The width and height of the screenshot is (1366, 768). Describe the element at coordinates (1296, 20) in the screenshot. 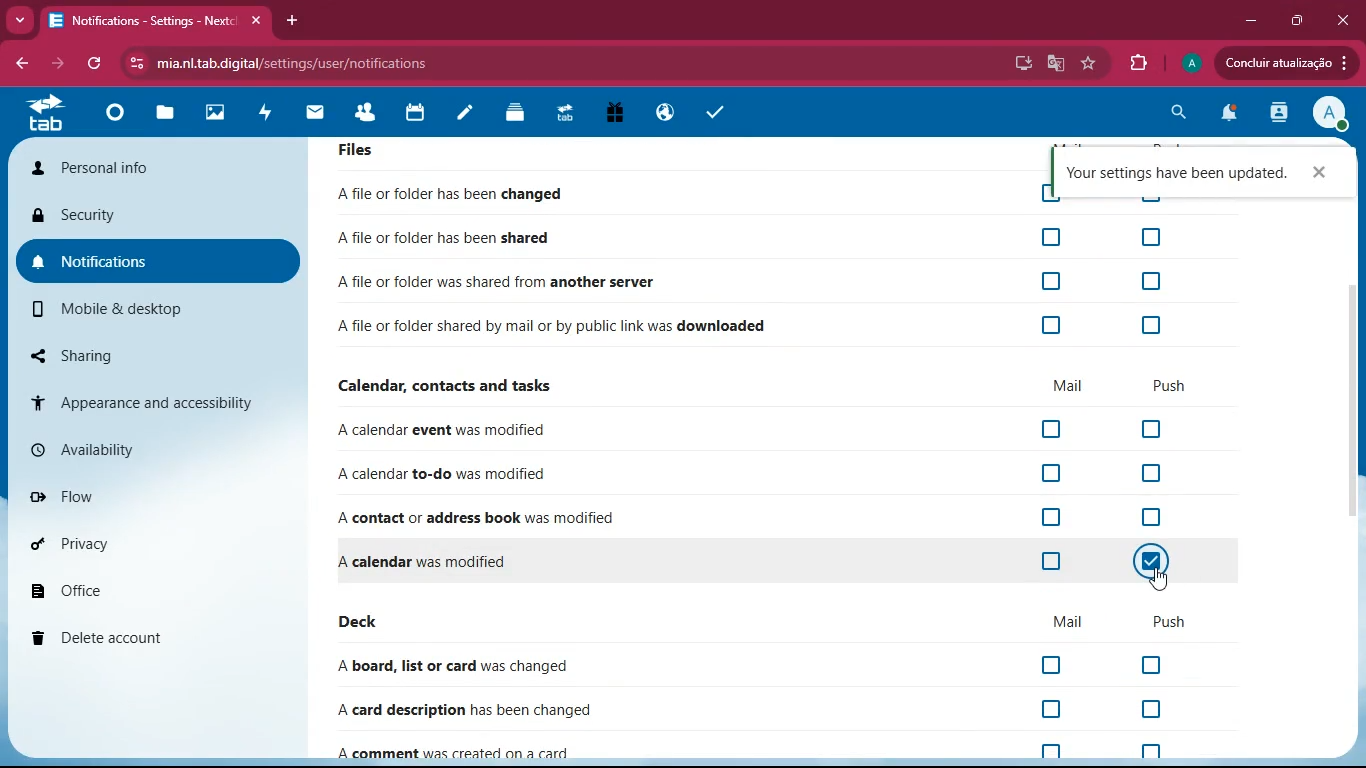

I see `maximize` at that location.